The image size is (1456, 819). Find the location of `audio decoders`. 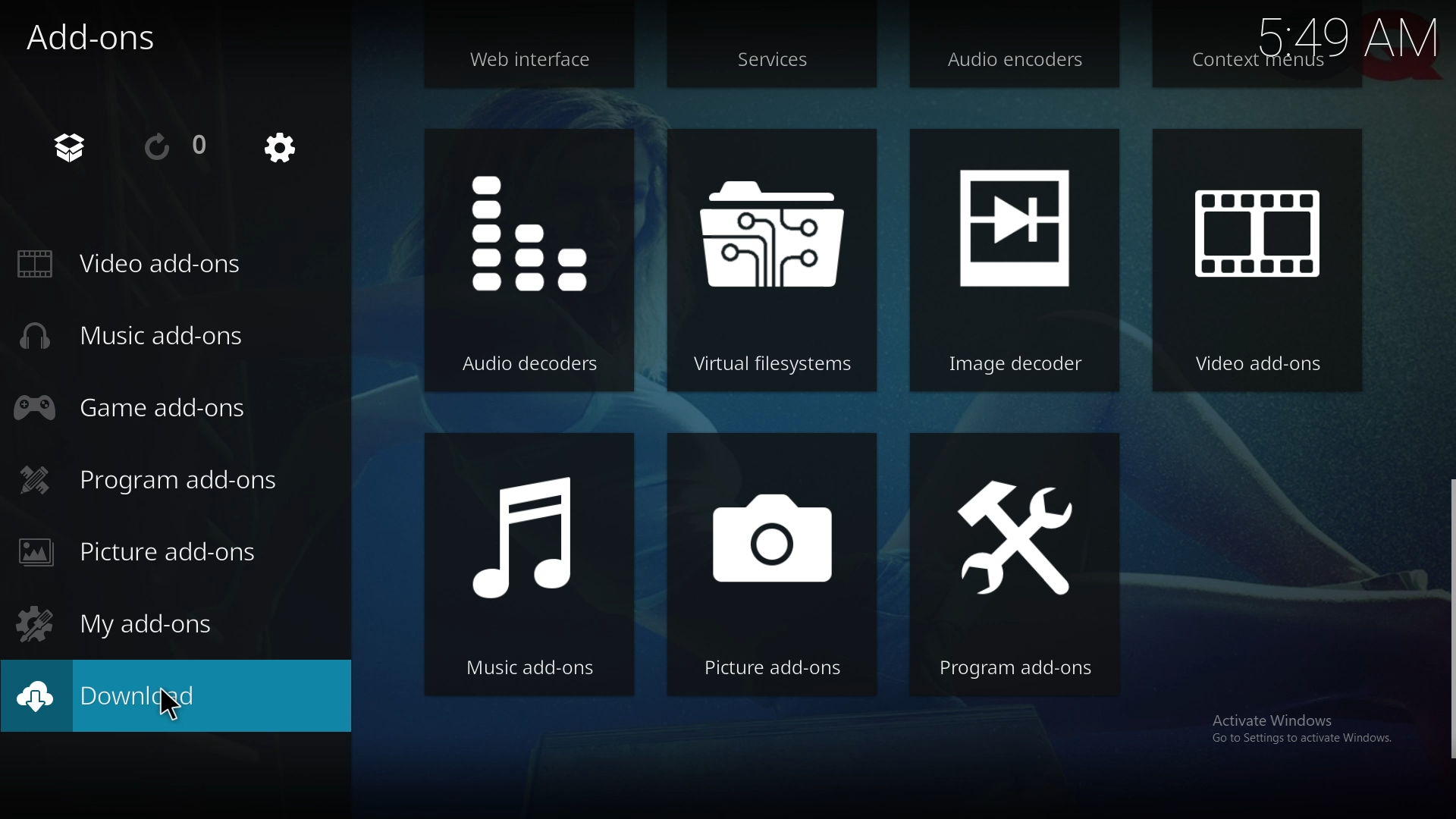

audio decoders is located at coordinates (533, 258).